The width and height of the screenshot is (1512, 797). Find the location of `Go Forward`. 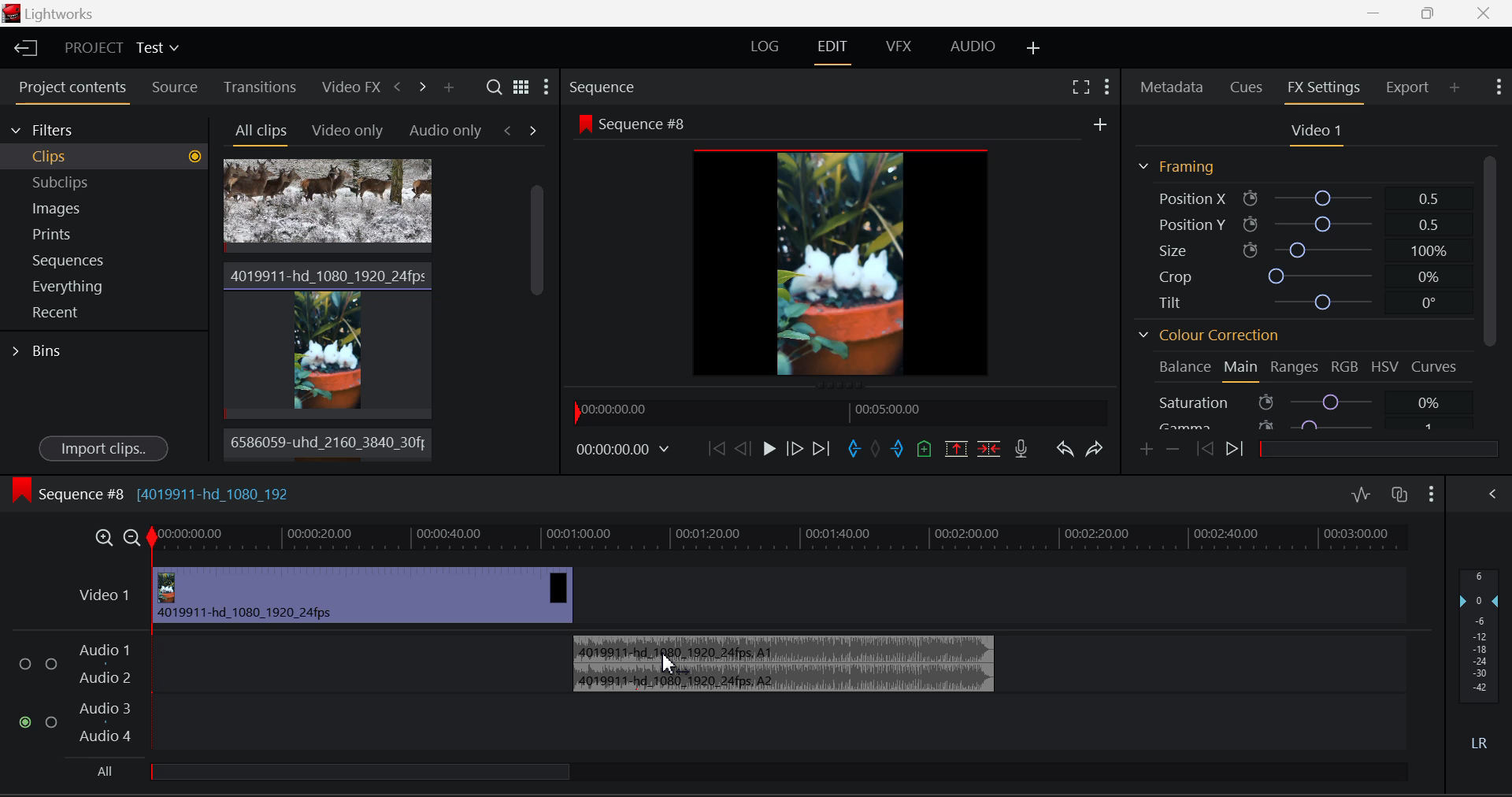

Go Forward is located at coordinates (795, 450).